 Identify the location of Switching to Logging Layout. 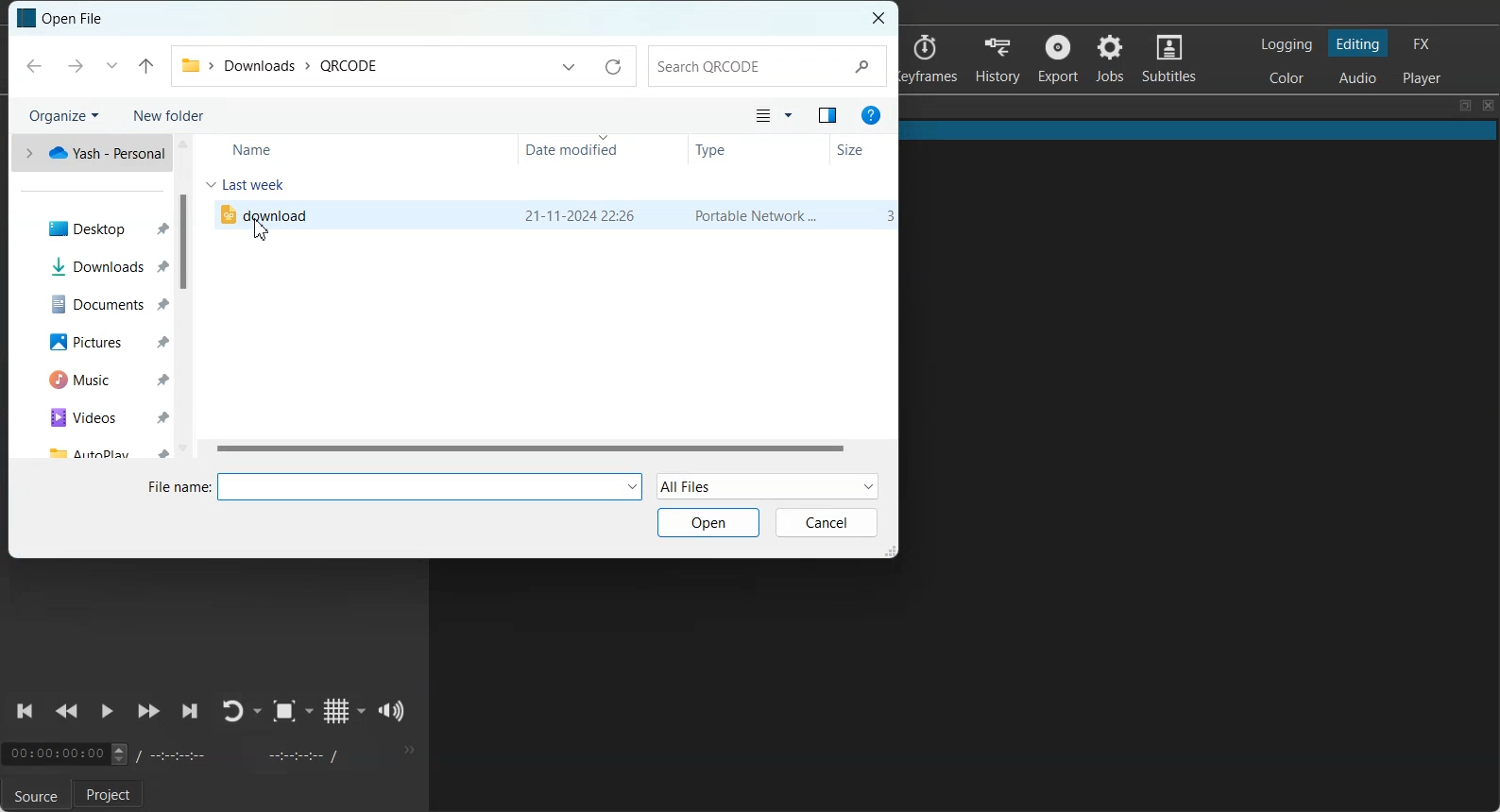
(1286, 44).